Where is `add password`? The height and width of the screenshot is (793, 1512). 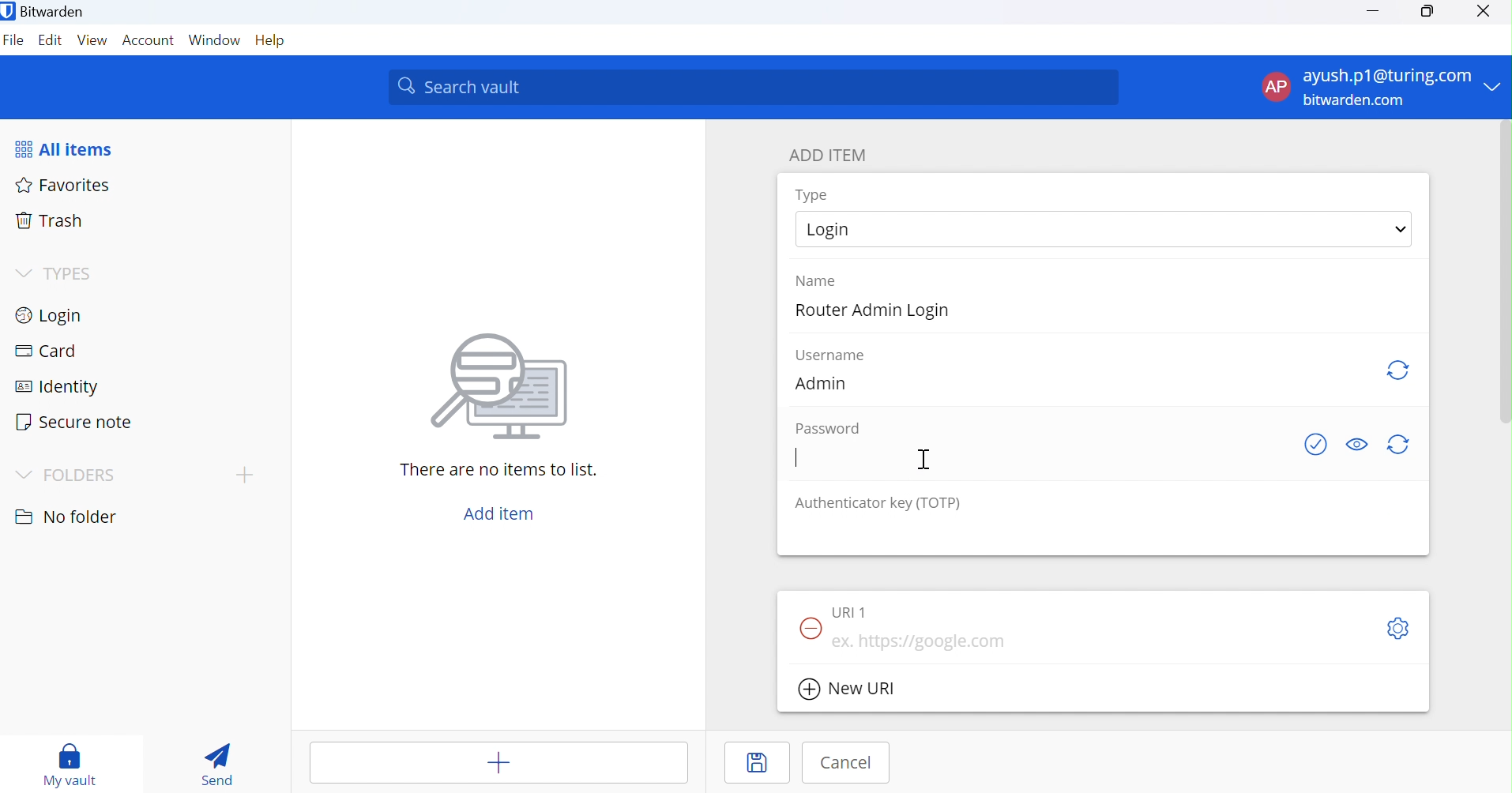 add password is located at coordinates (1040, 458).